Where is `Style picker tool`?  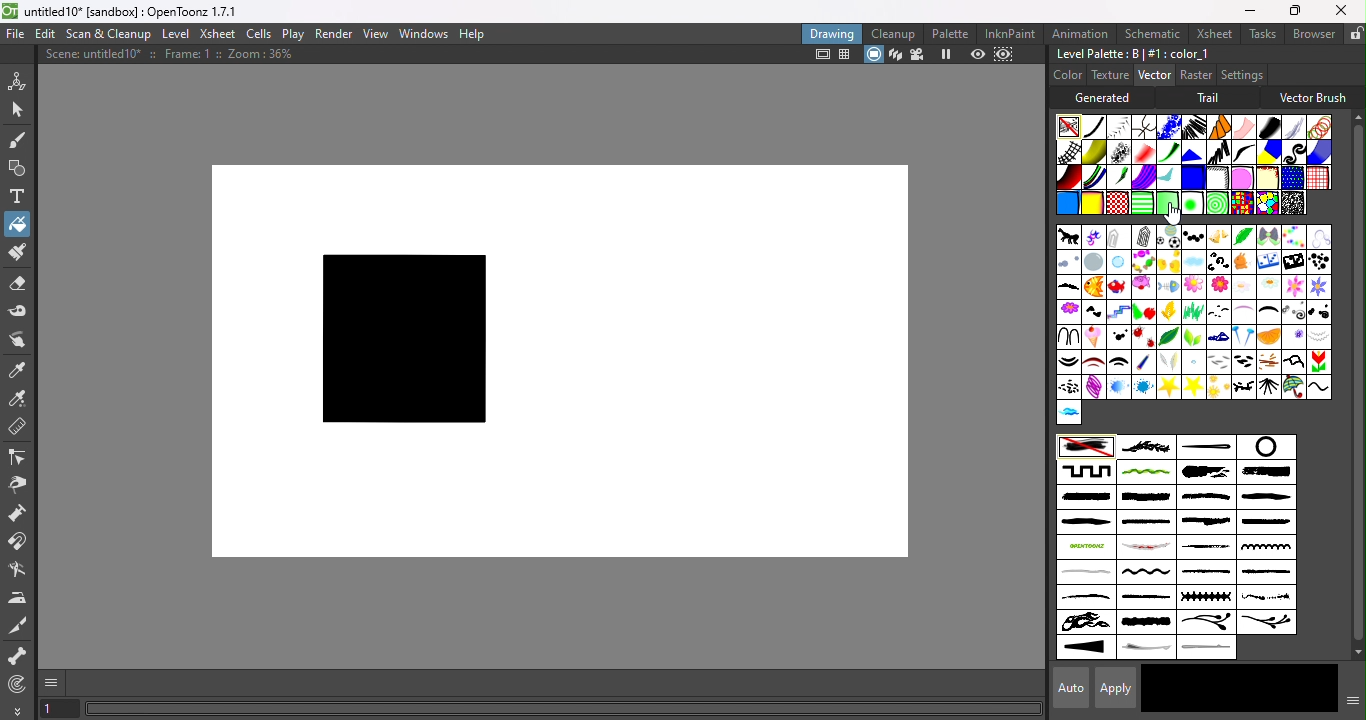 Style picker tool is located at coordinates (22, 368).